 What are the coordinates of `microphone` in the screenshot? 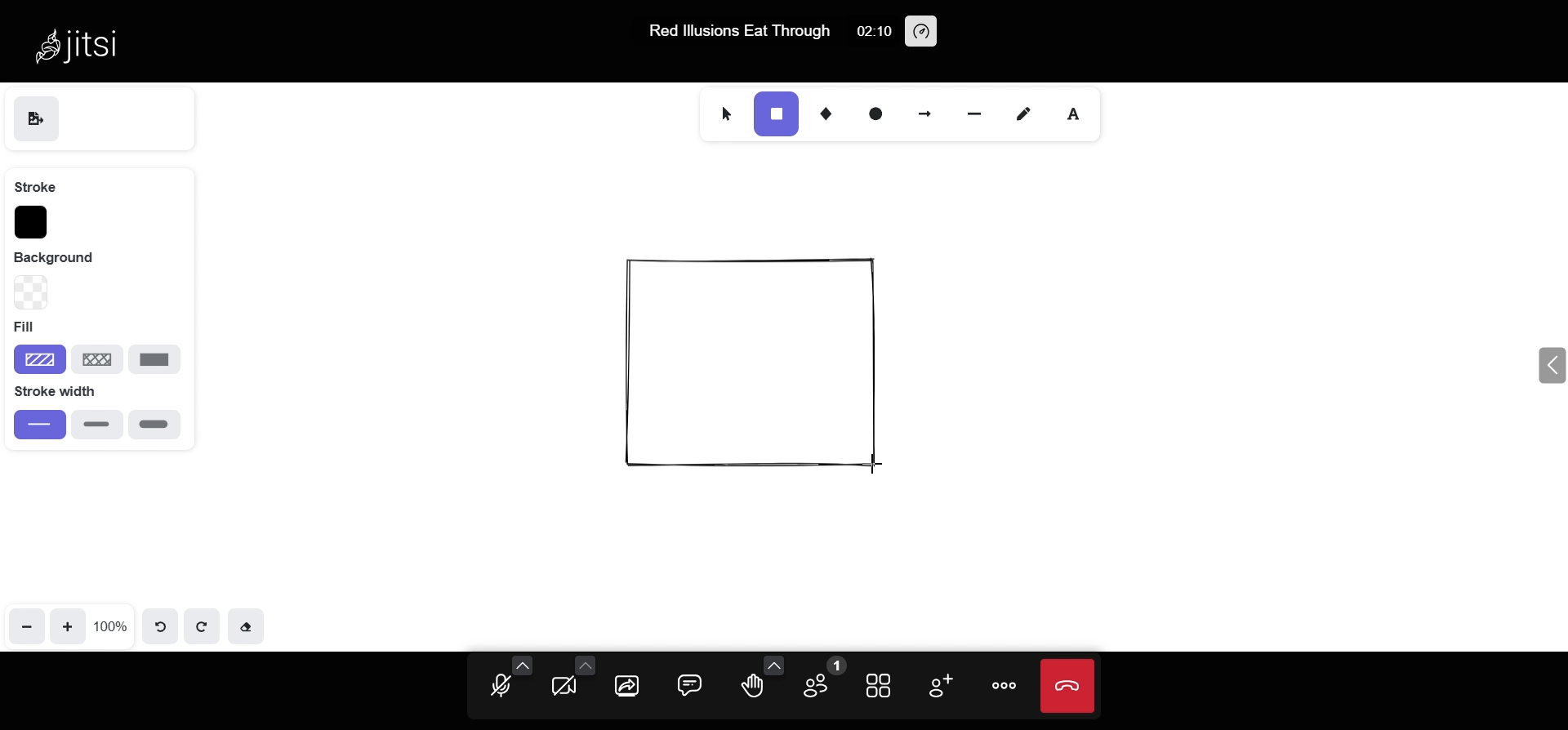 It's located at (501, 688).